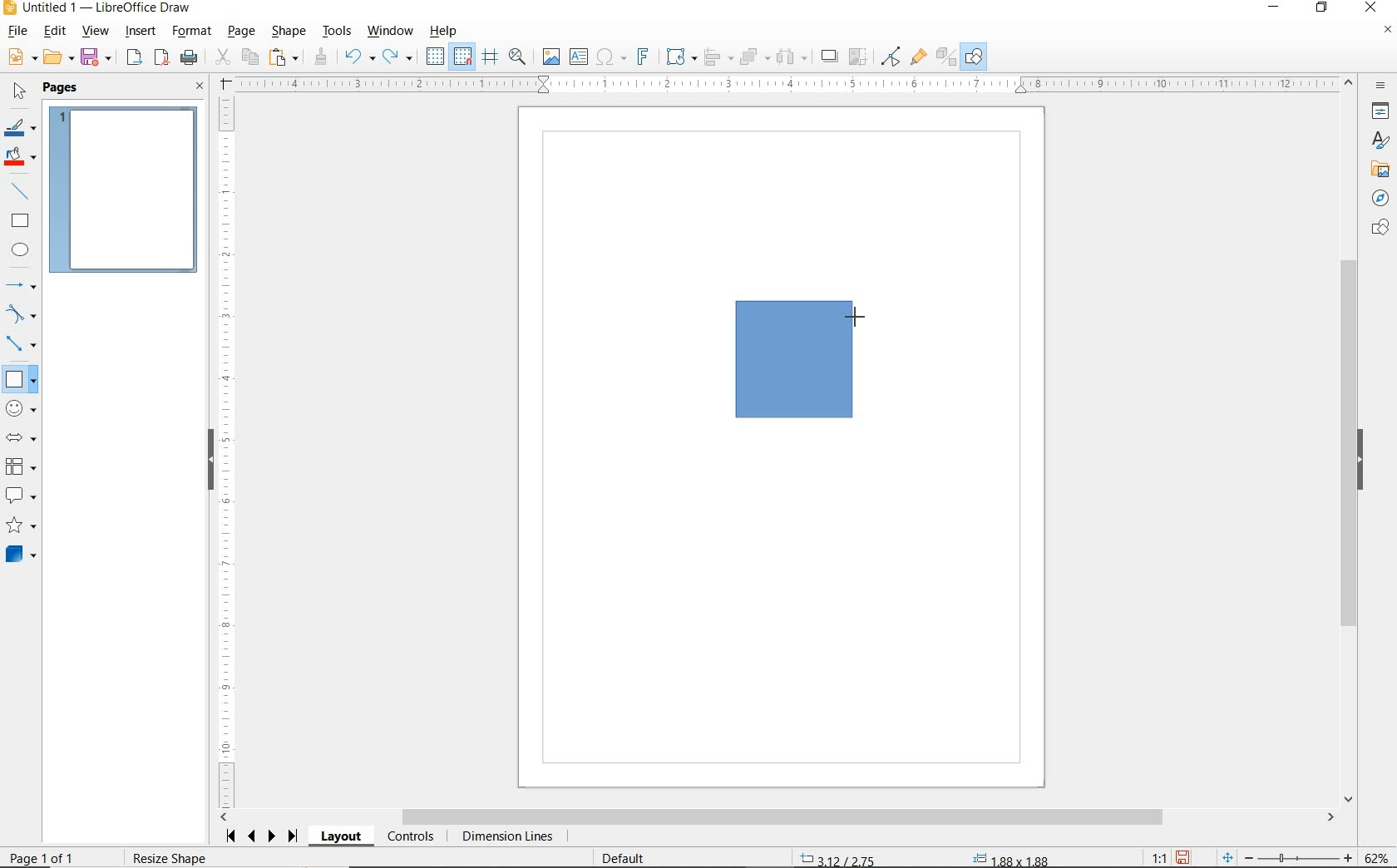 The image size is (1397, 868). What do you see at coordinates (243, 32) in the screenshot?
I see `PAGE` at bounding box center [243, 32].